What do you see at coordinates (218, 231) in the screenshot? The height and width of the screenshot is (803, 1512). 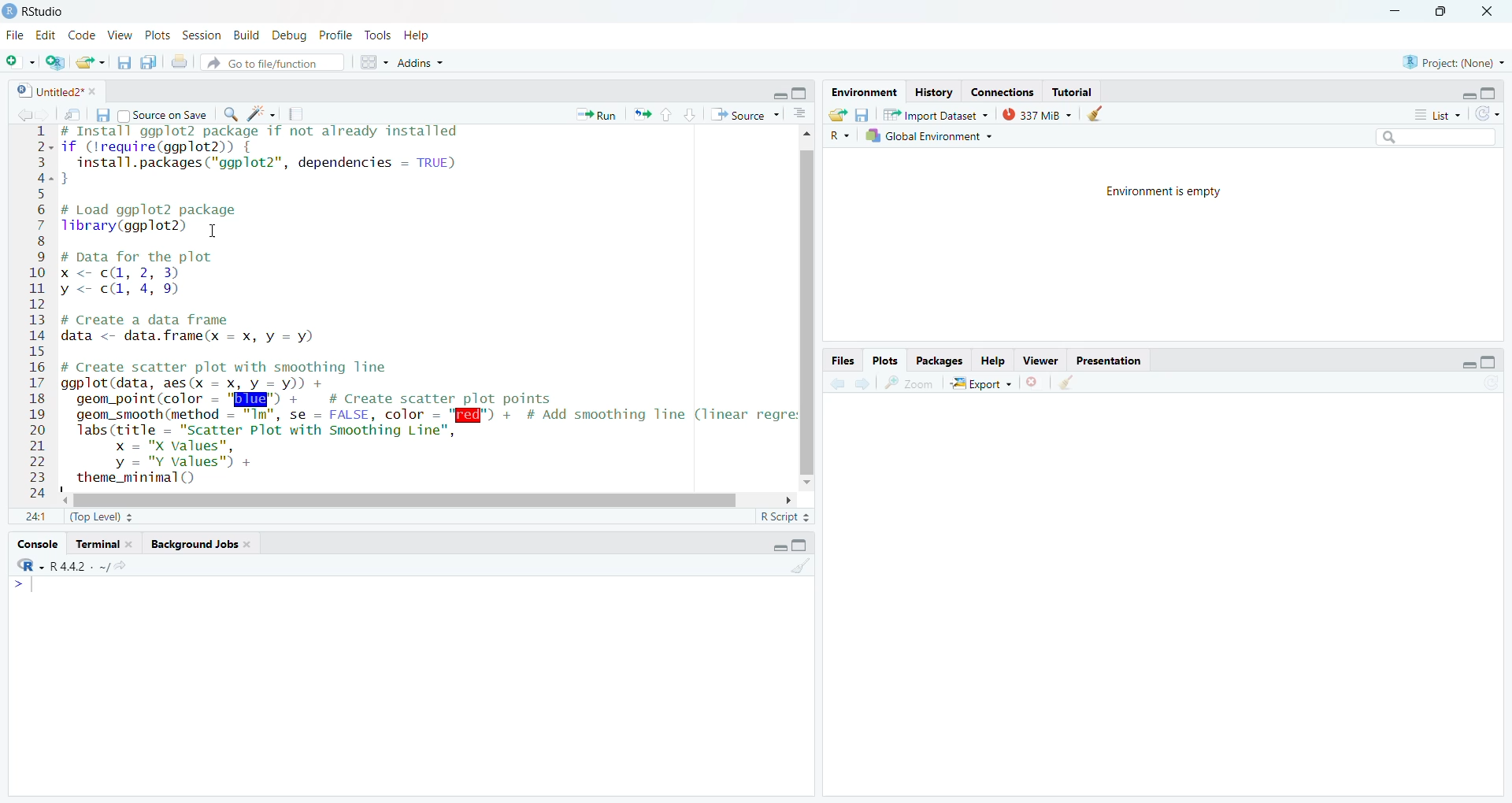 I see `cursor` at bounding box center [218, 231].